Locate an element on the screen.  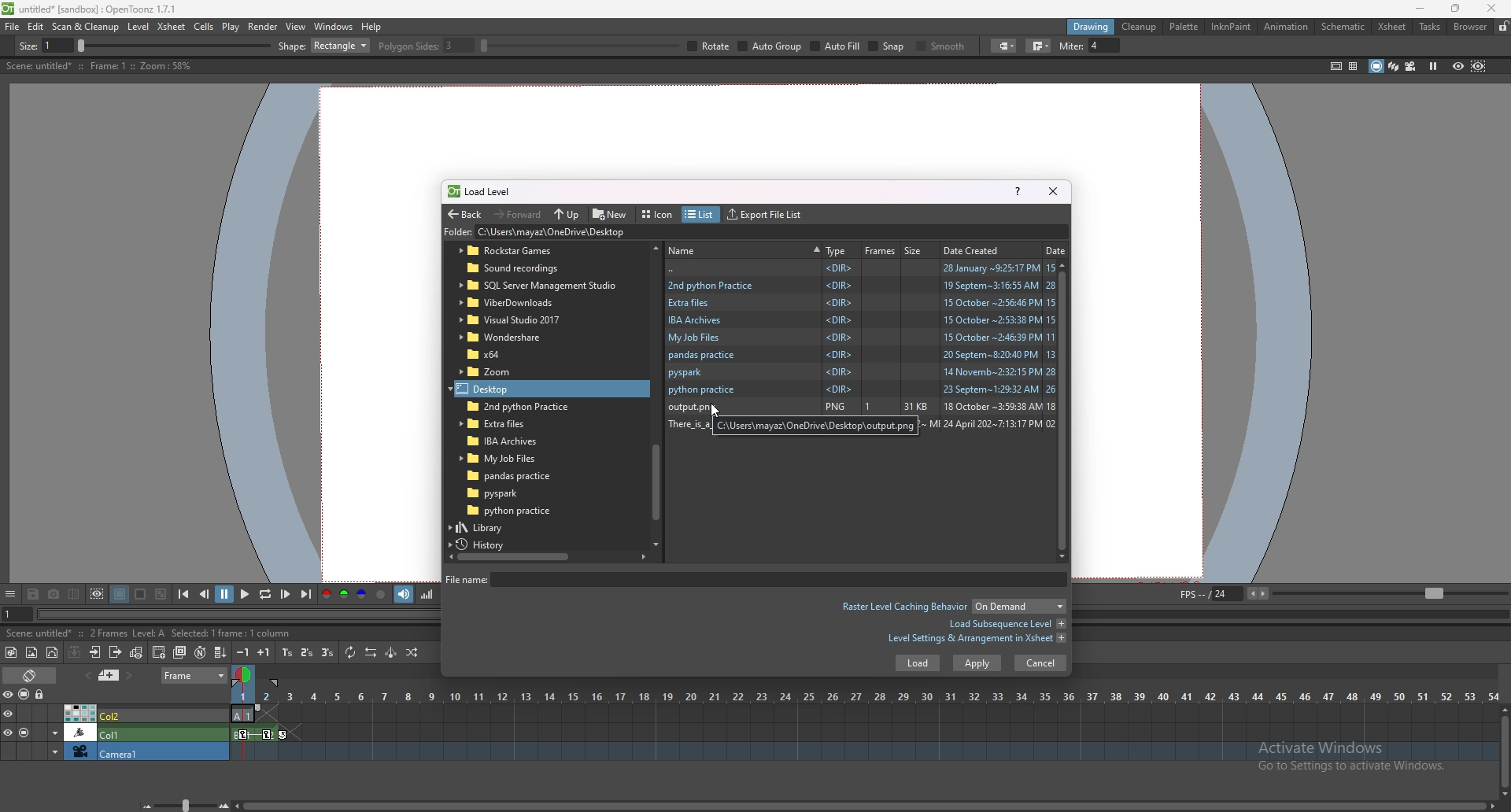
previous memo is located at coordinates (86, 675).